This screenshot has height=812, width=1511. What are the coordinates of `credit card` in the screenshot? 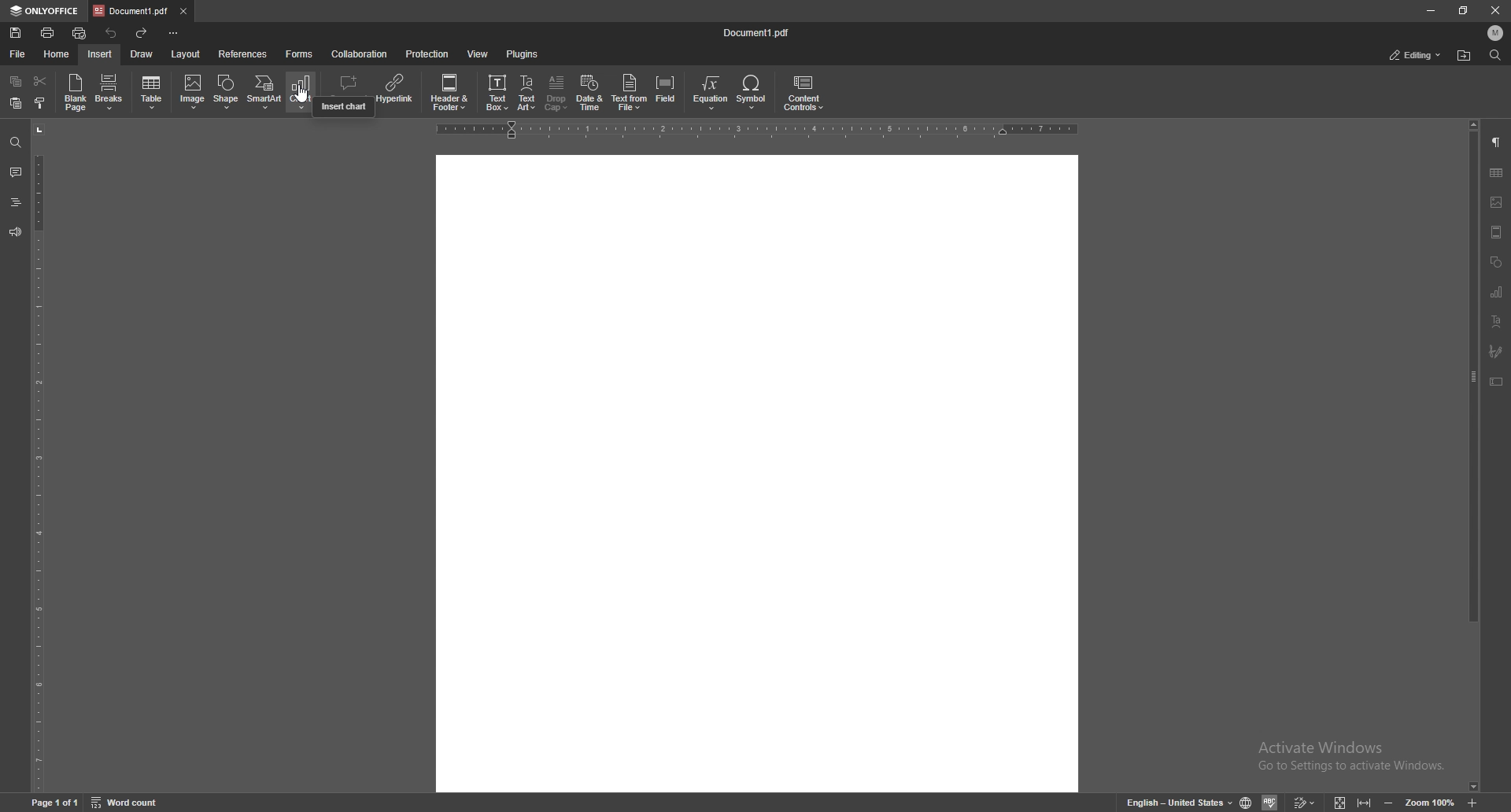 It's located at (495, 92).